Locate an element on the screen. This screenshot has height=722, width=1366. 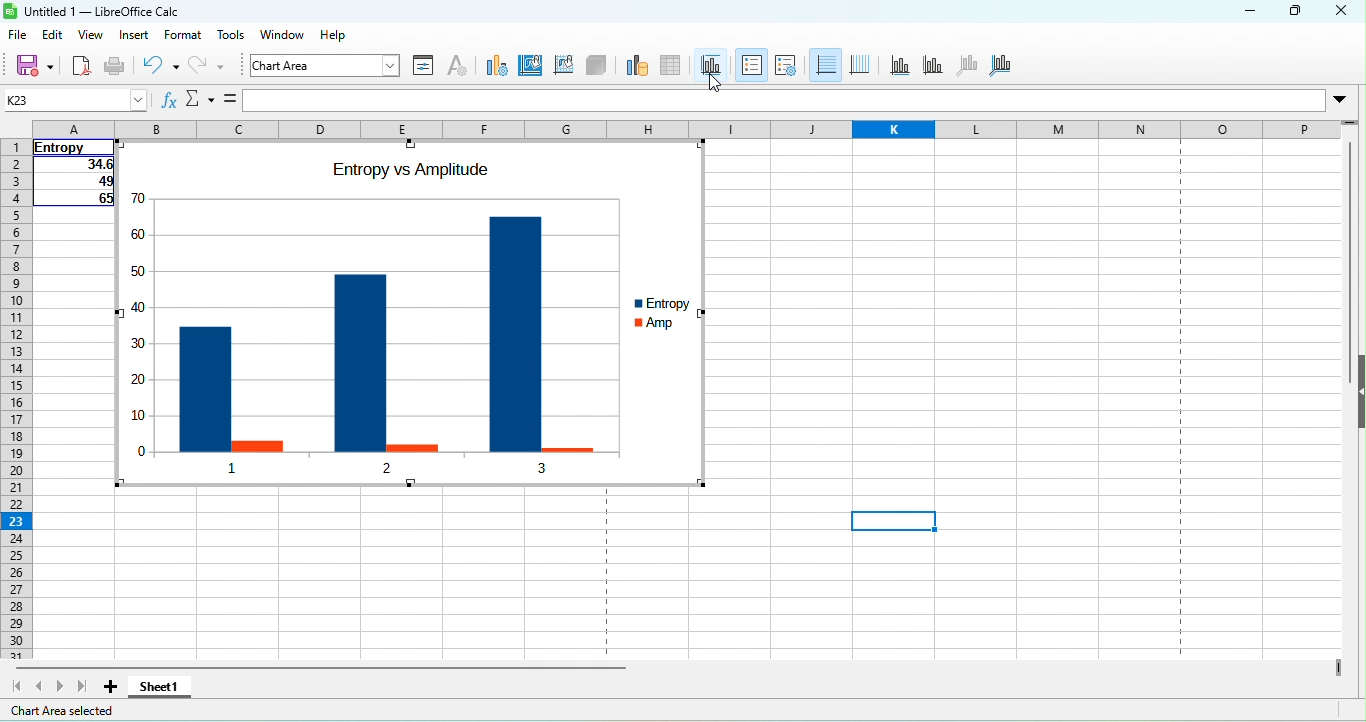
undo is located at coordinates (162, 68).